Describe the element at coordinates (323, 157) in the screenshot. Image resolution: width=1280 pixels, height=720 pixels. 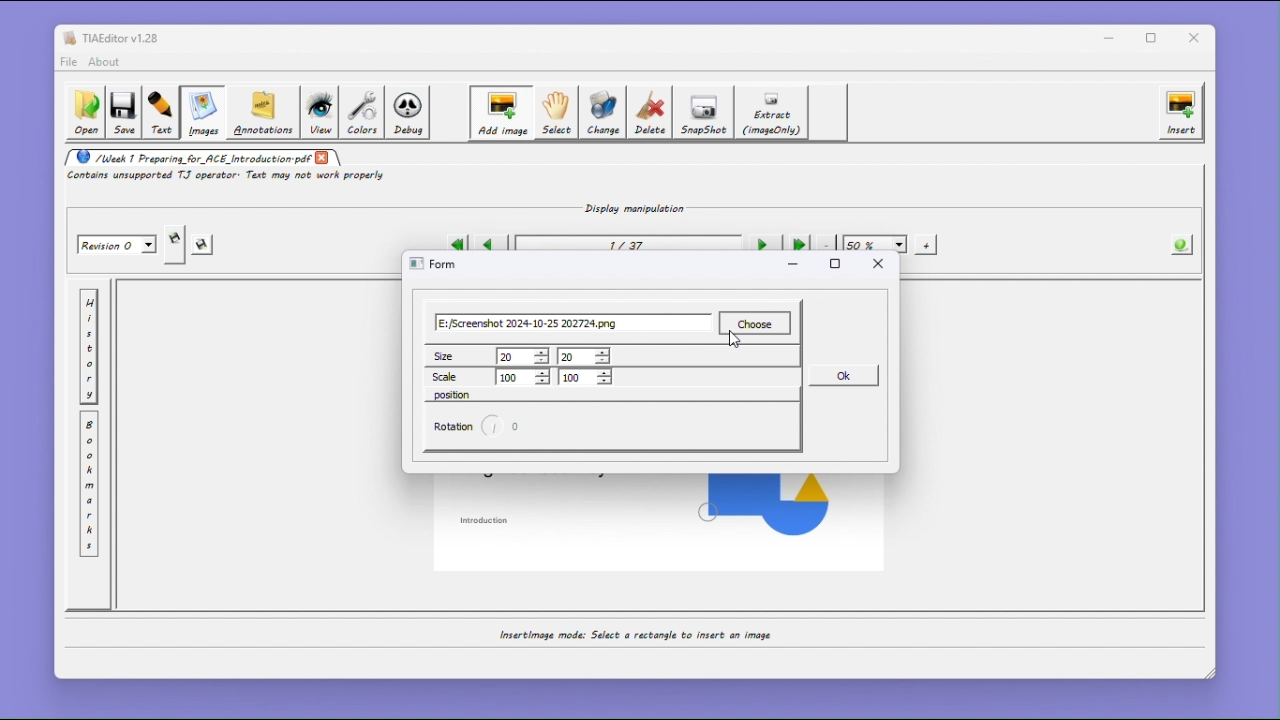
I see `close` at that location.